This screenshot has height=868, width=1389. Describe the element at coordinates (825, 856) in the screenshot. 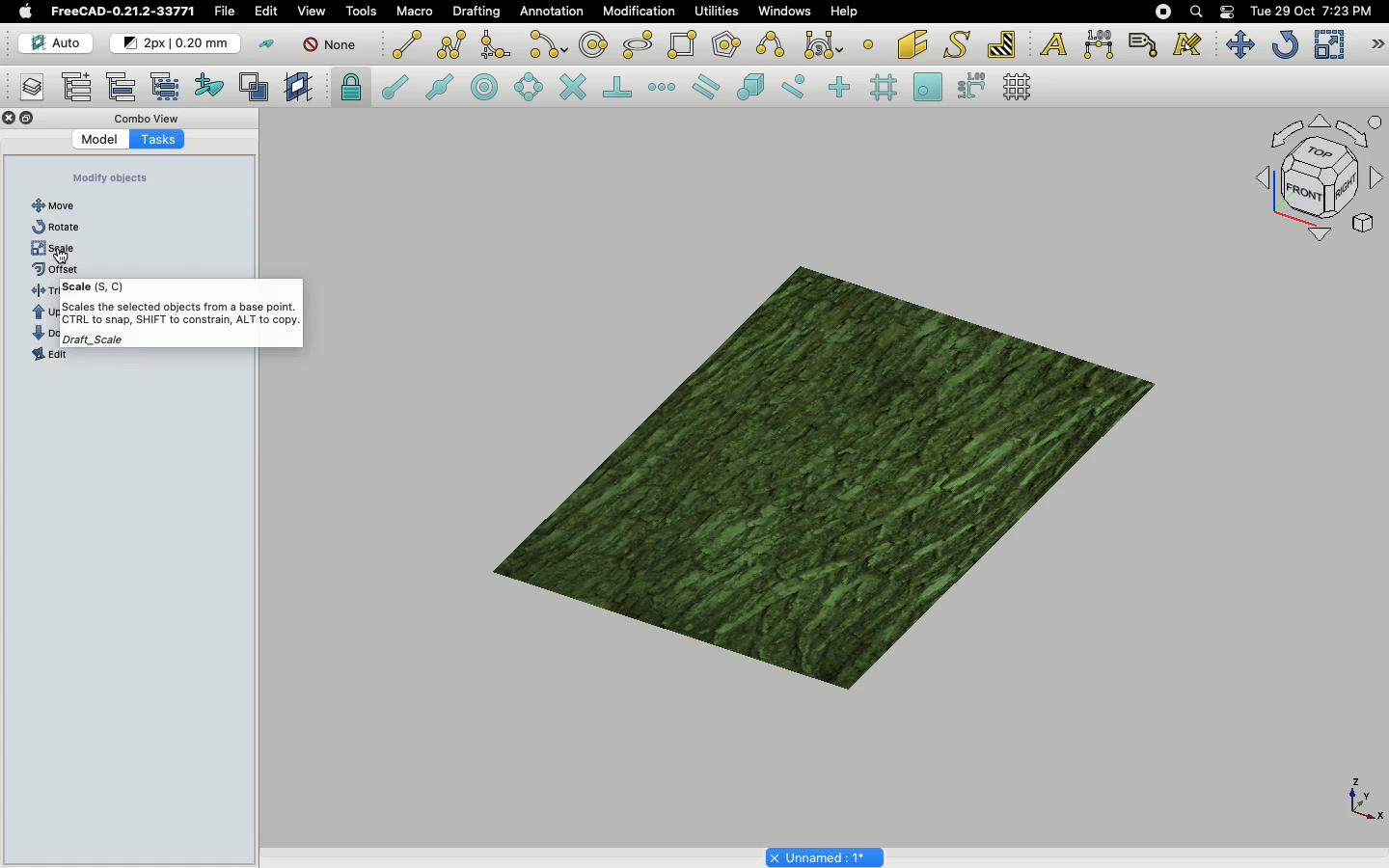

I see `Project name` at that location.